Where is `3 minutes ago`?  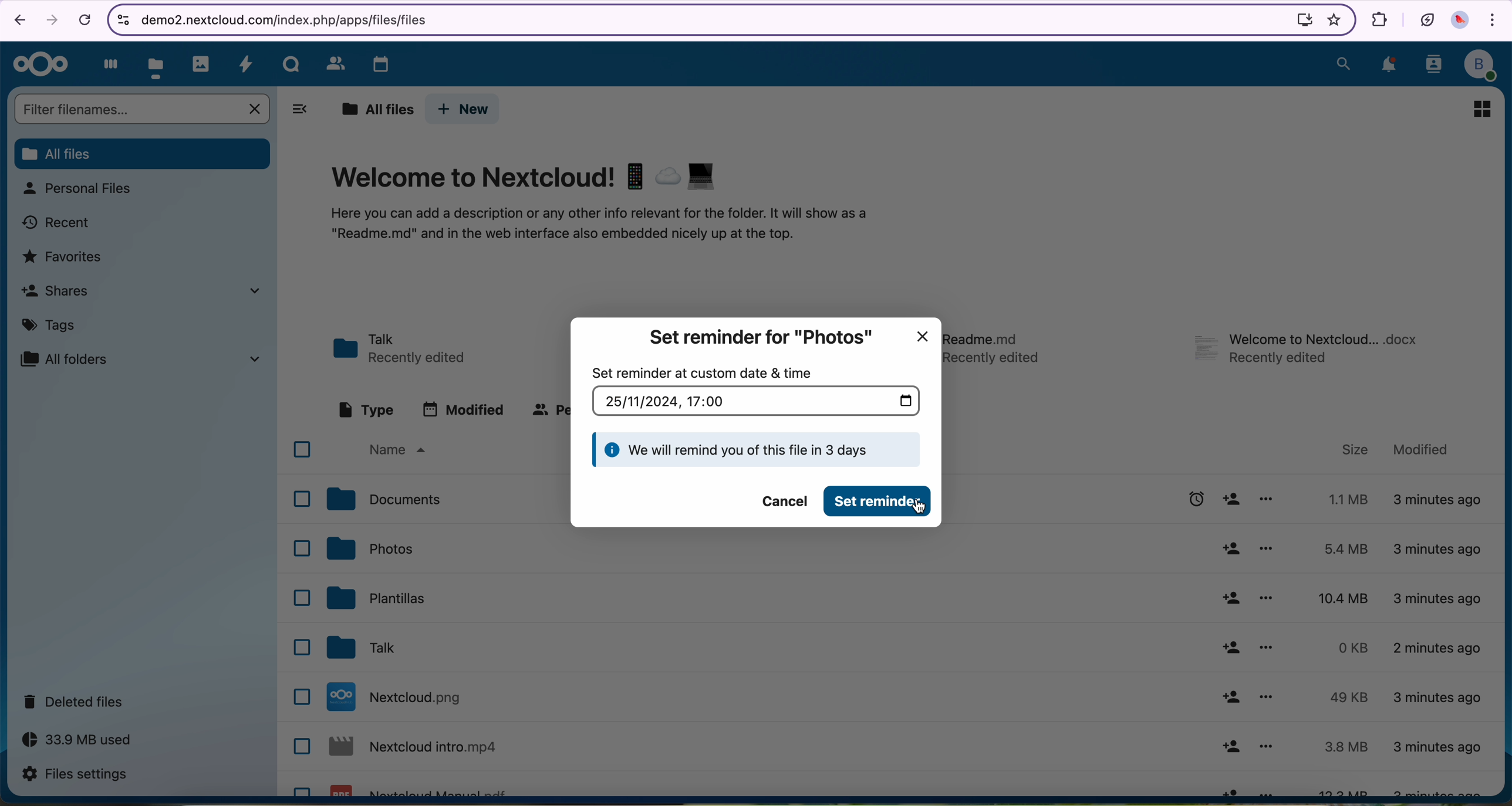
3 minutes ago is located at coordinates (1435, 790).